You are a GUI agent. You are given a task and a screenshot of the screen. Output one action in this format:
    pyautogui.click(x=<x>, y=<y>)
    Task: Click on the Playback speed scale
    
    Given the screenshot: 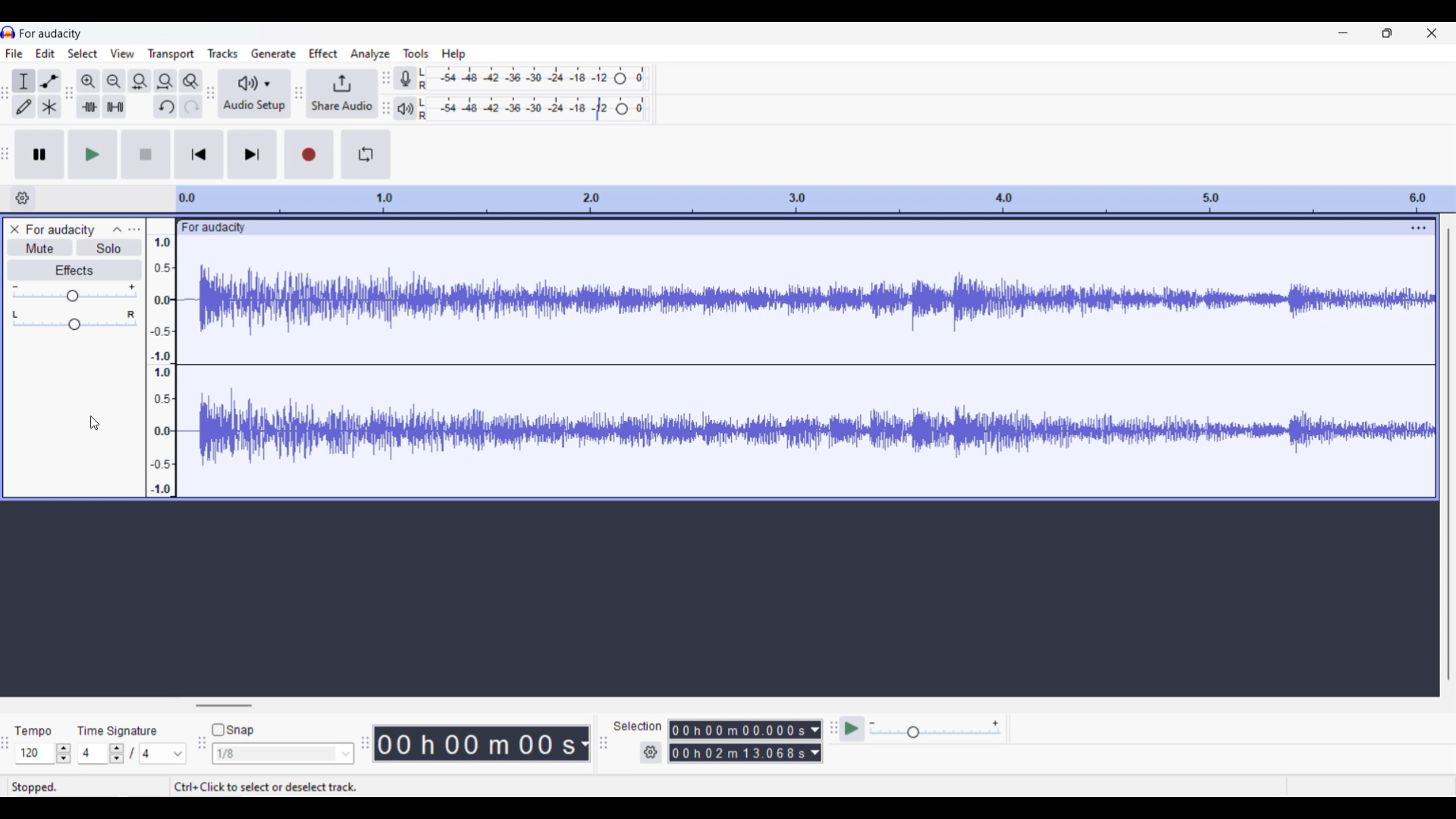 What is the action you would take?
    pyautogui.click(x=934, y=730)
    